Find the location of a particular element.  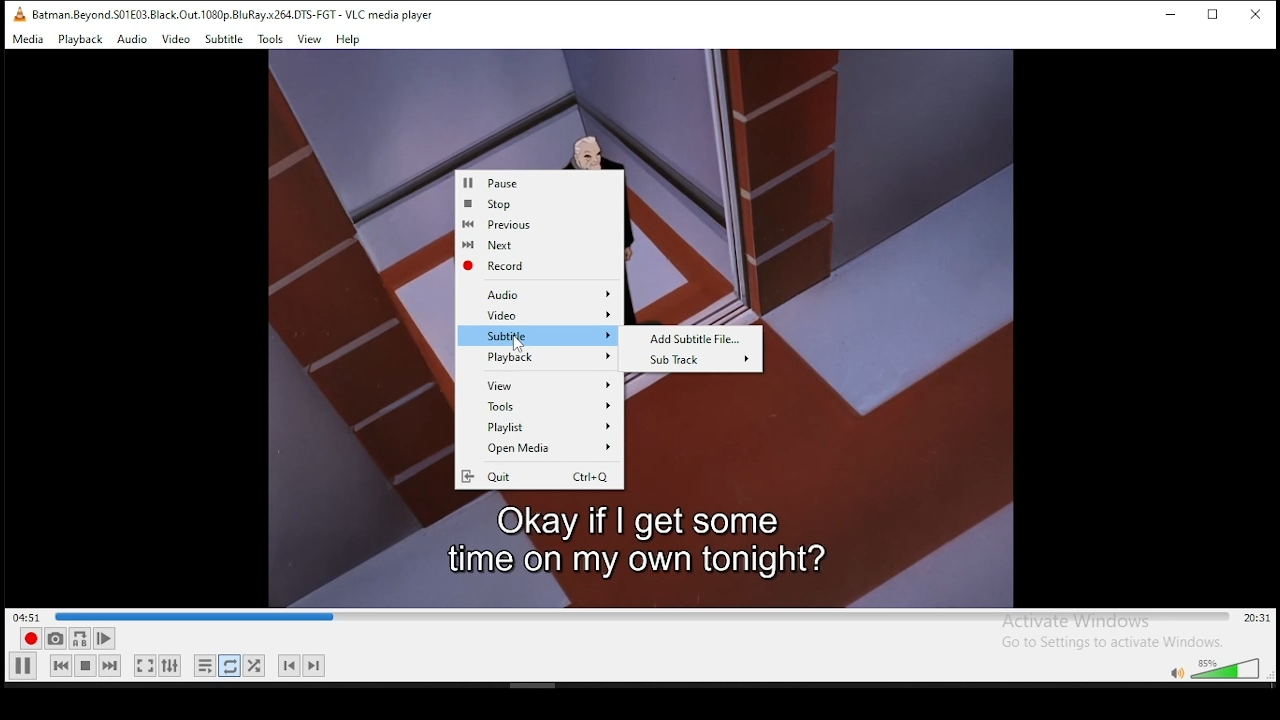

Audio is located at coordinates (132, 41).